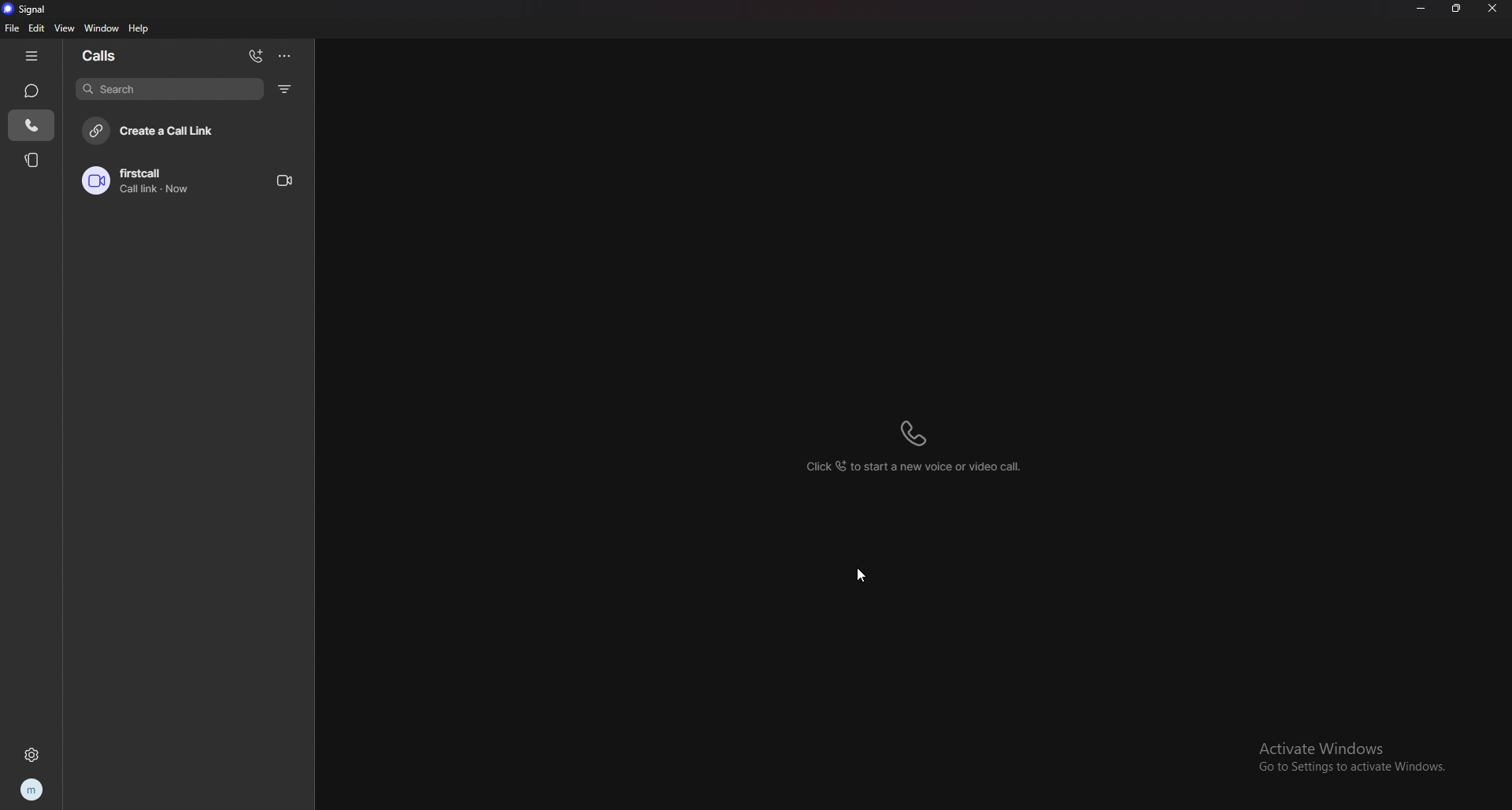  What do you see at coordinates (256, 56) in the screenshot?
I see `add call` at bounding box center [256, 56].